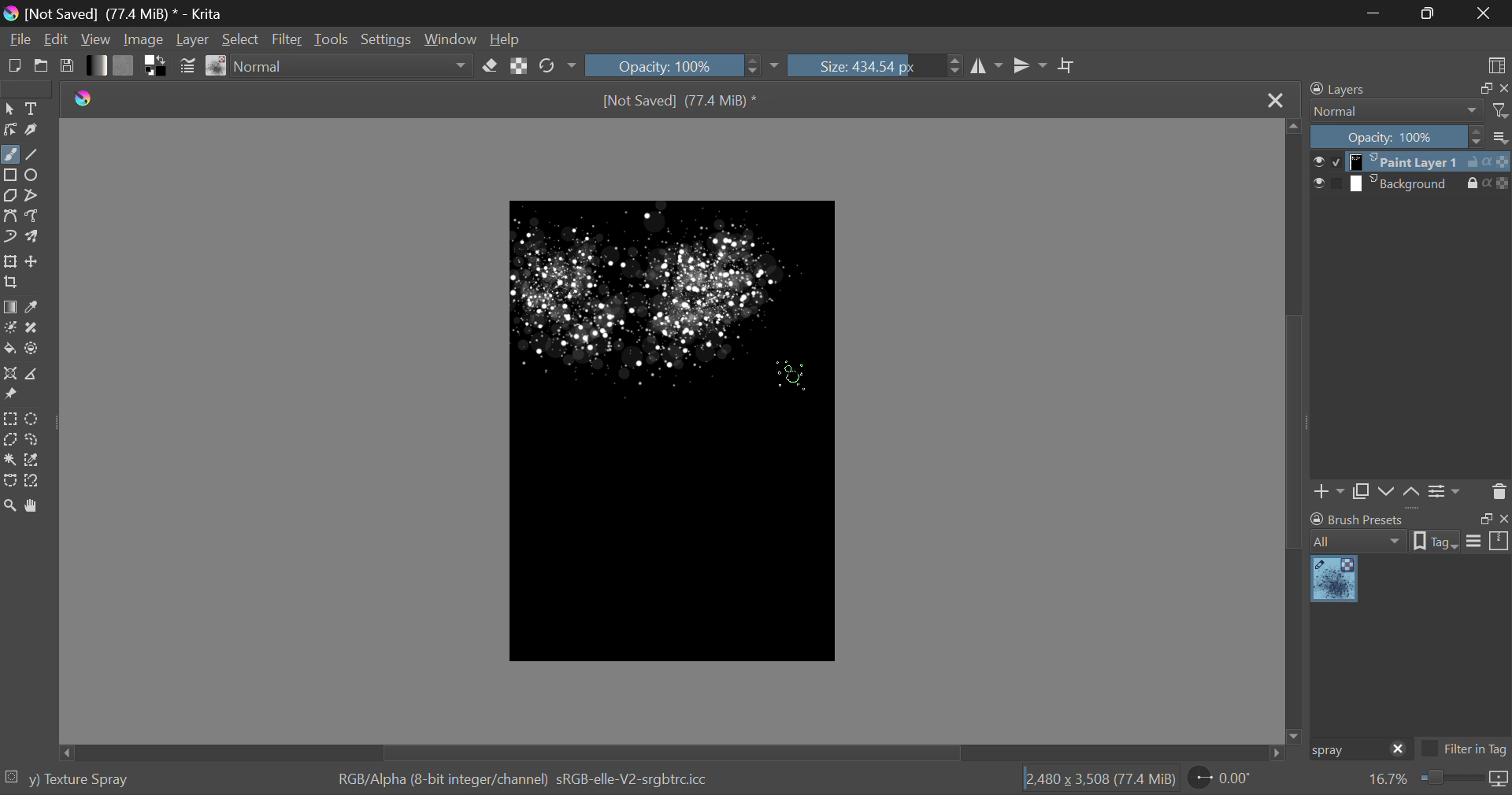  Describe the element at coordinates (1346, 750) in the screenshot. I see `Brush Preset Search: "spray"` at that location.